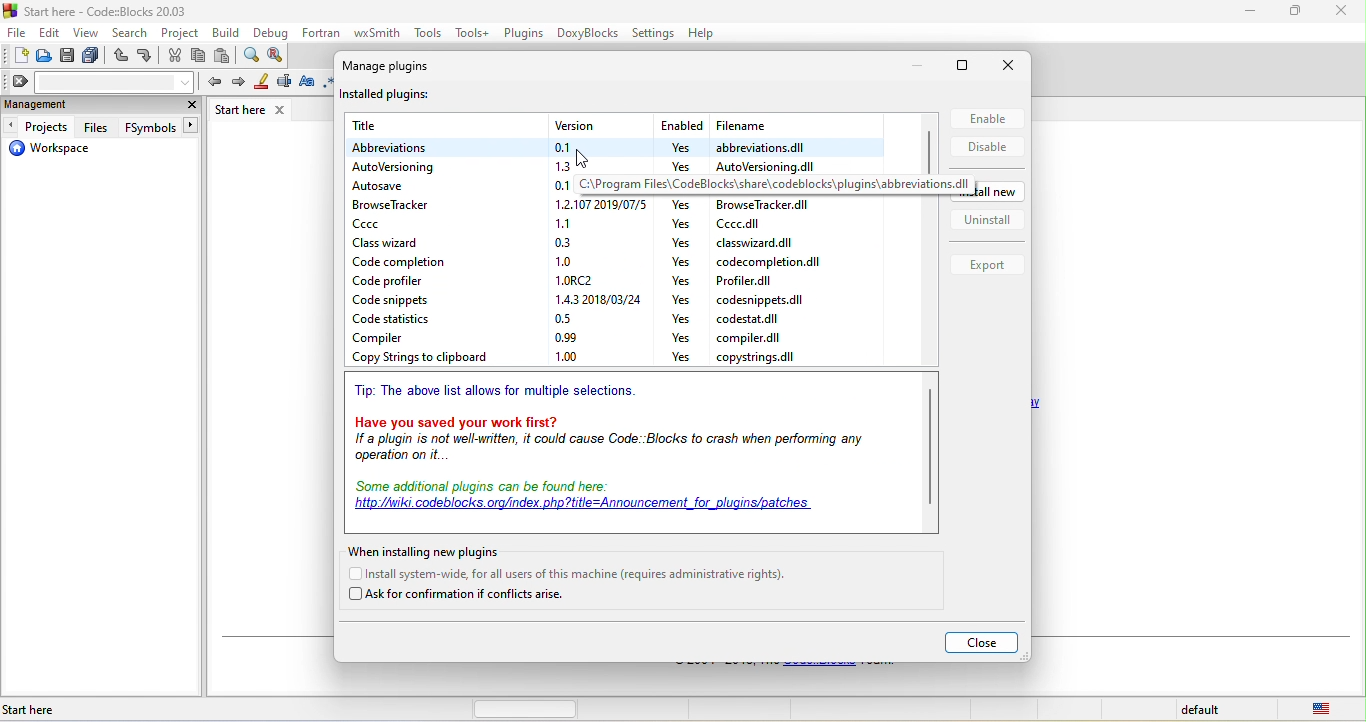 This screenshot has height=722, width=1366. I want to click on redo, so click(144, 56).